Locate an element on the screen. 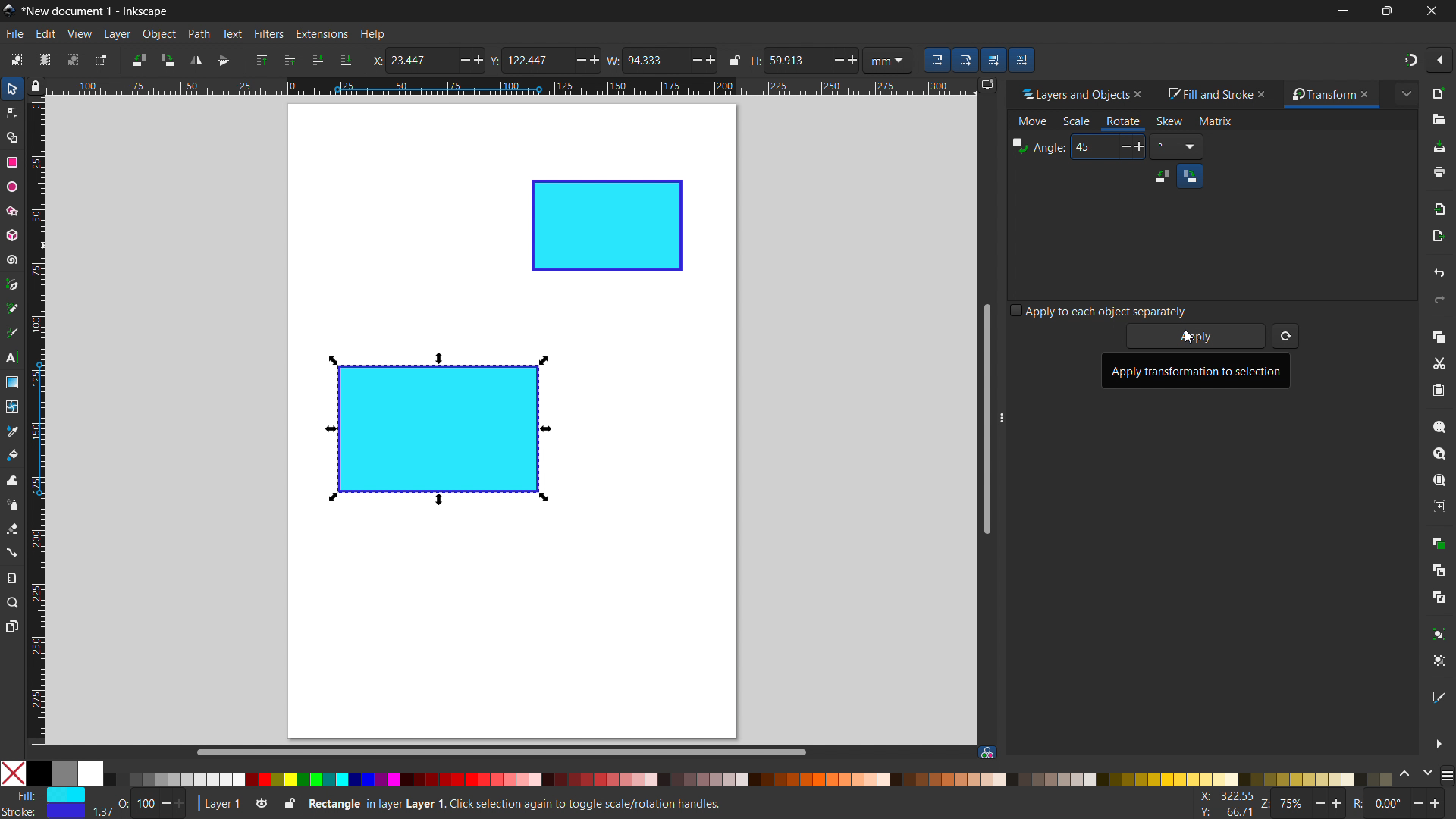 The width and height of the screenshot is (1456, 819). spray tool is located at coordinates (13, 504).